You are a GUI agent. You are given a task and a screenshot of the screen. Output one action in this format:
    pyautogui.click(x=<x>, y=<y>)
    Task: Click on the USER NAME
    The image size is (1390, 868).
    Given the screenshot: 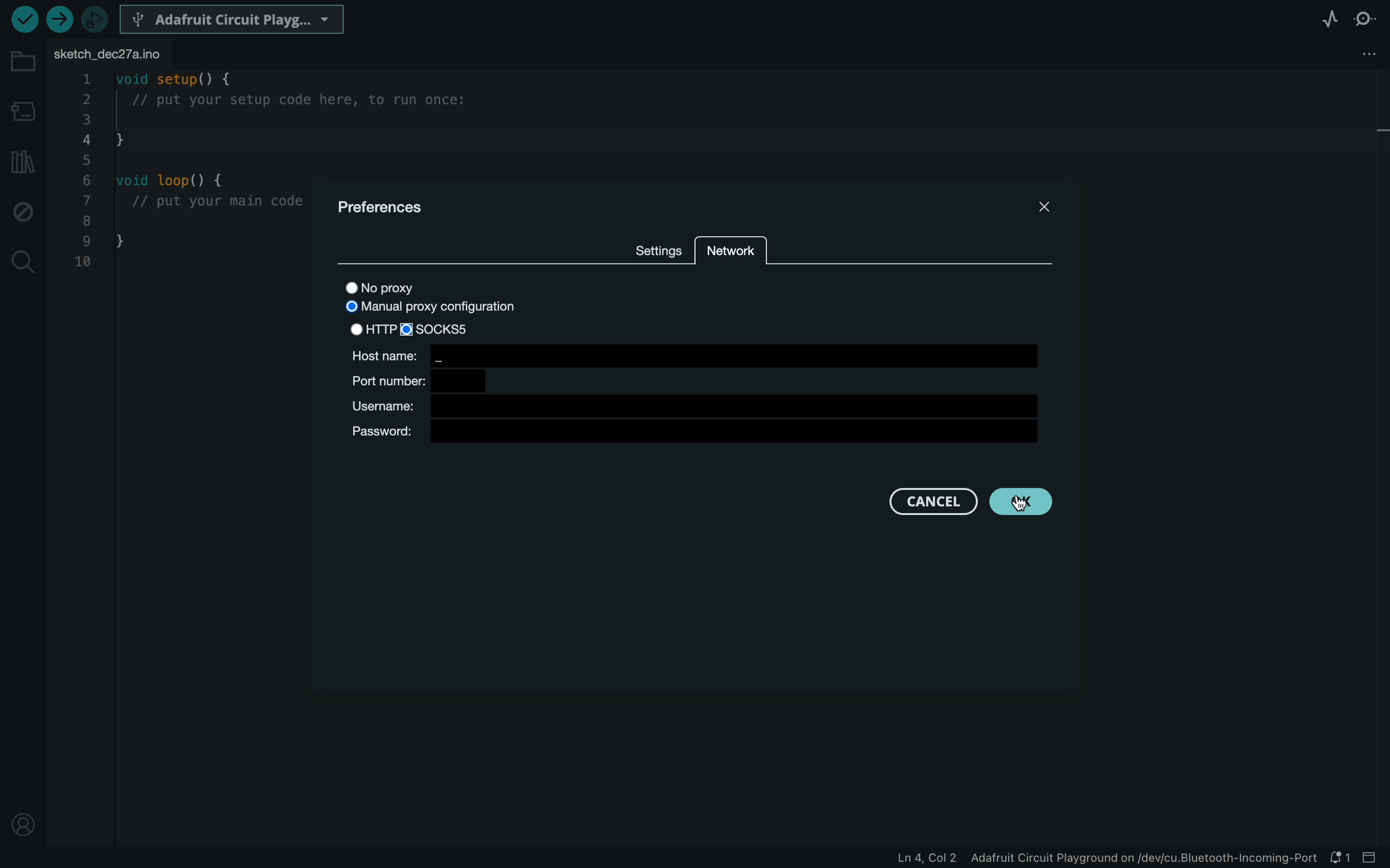 What is the action you would take?
    pyautogui.click(x=691, y=405)
    